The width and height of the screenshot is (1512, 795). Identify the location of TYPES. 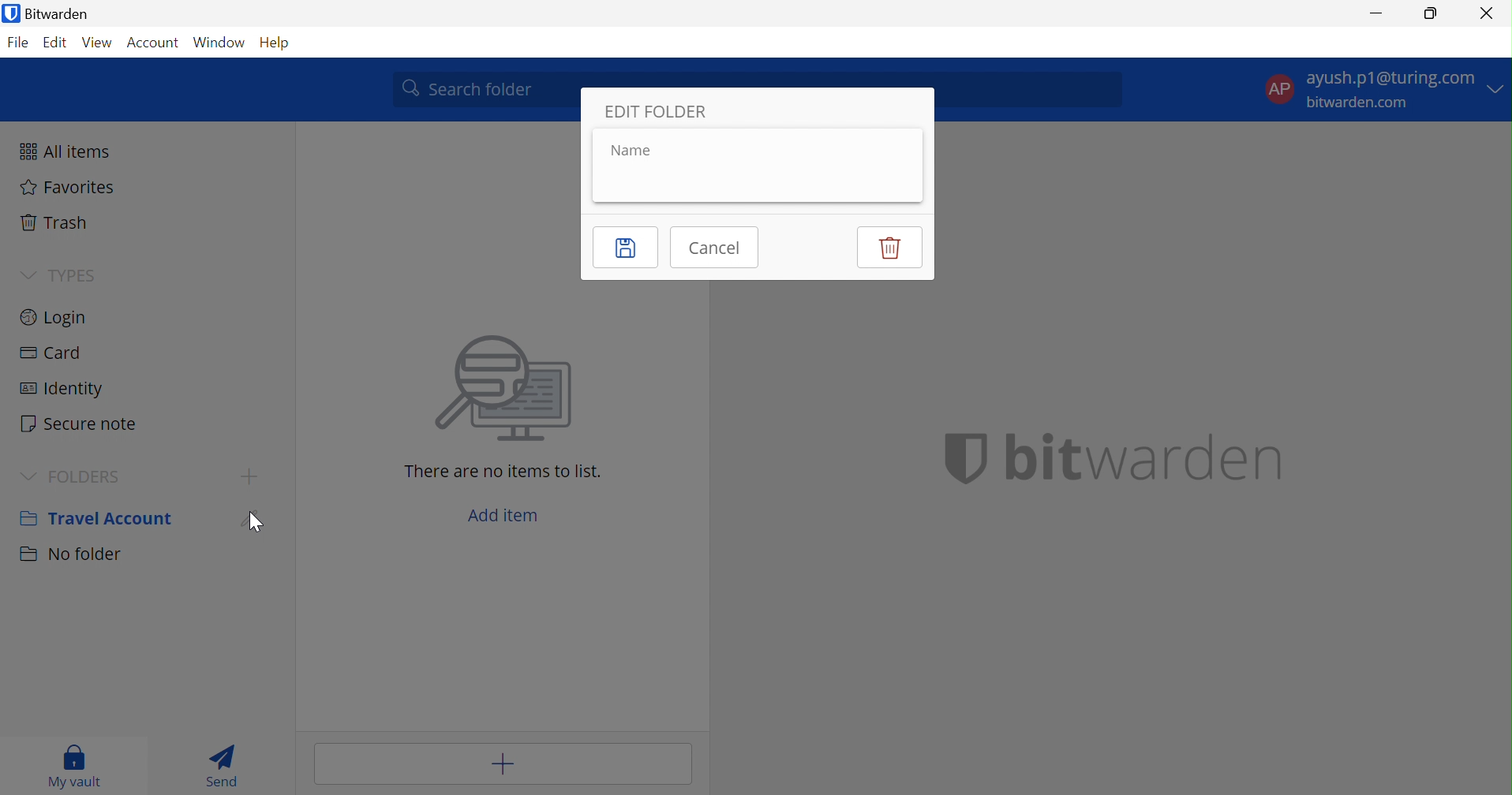
(74, 274).